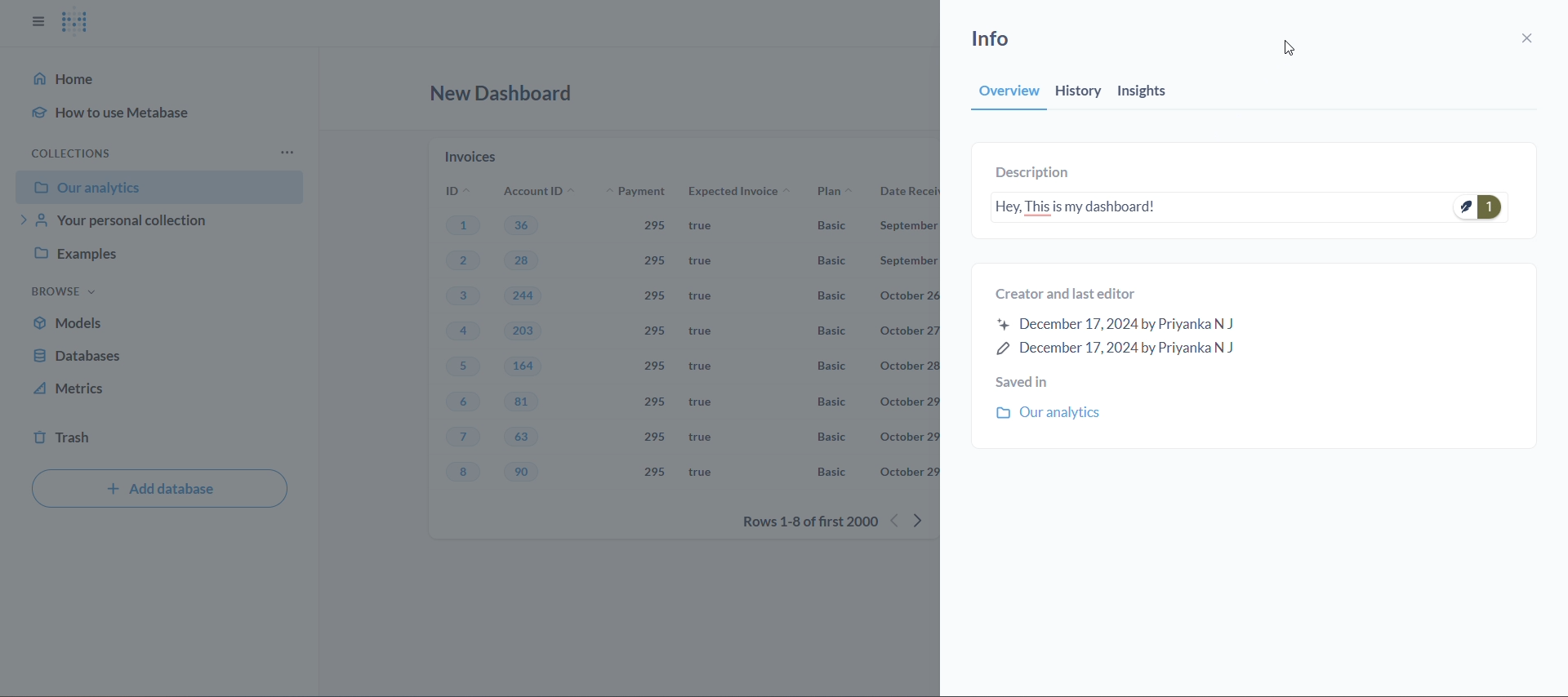 The image size is (1568, 697). What do you see at coordinates (76, 151) in the screenshot?
I see `collection` at bounding box center [76, 151].